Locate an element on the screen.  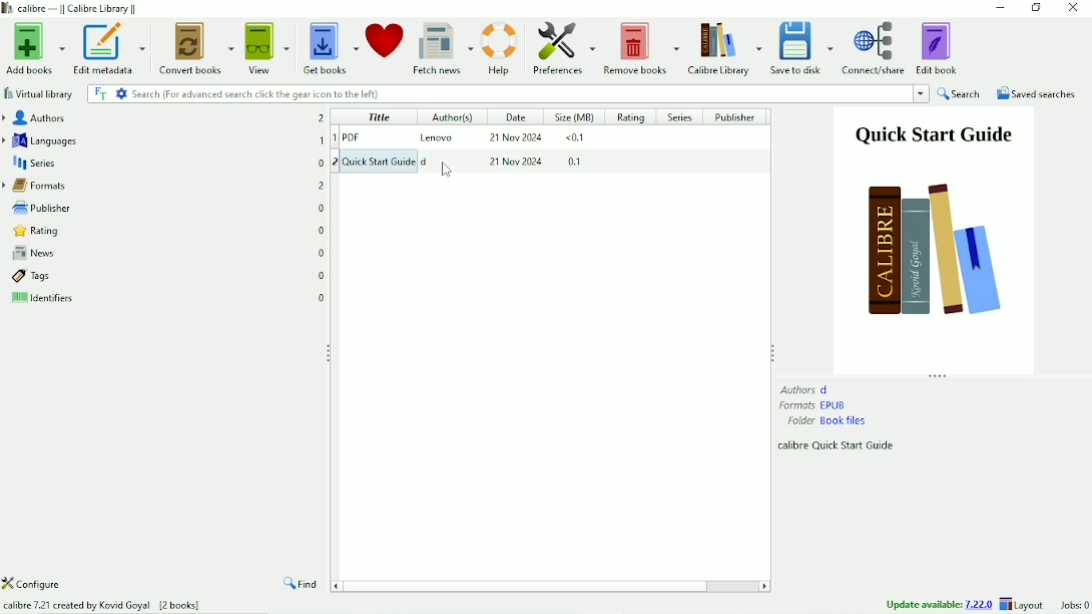
View is located at coordinates (268, 47).